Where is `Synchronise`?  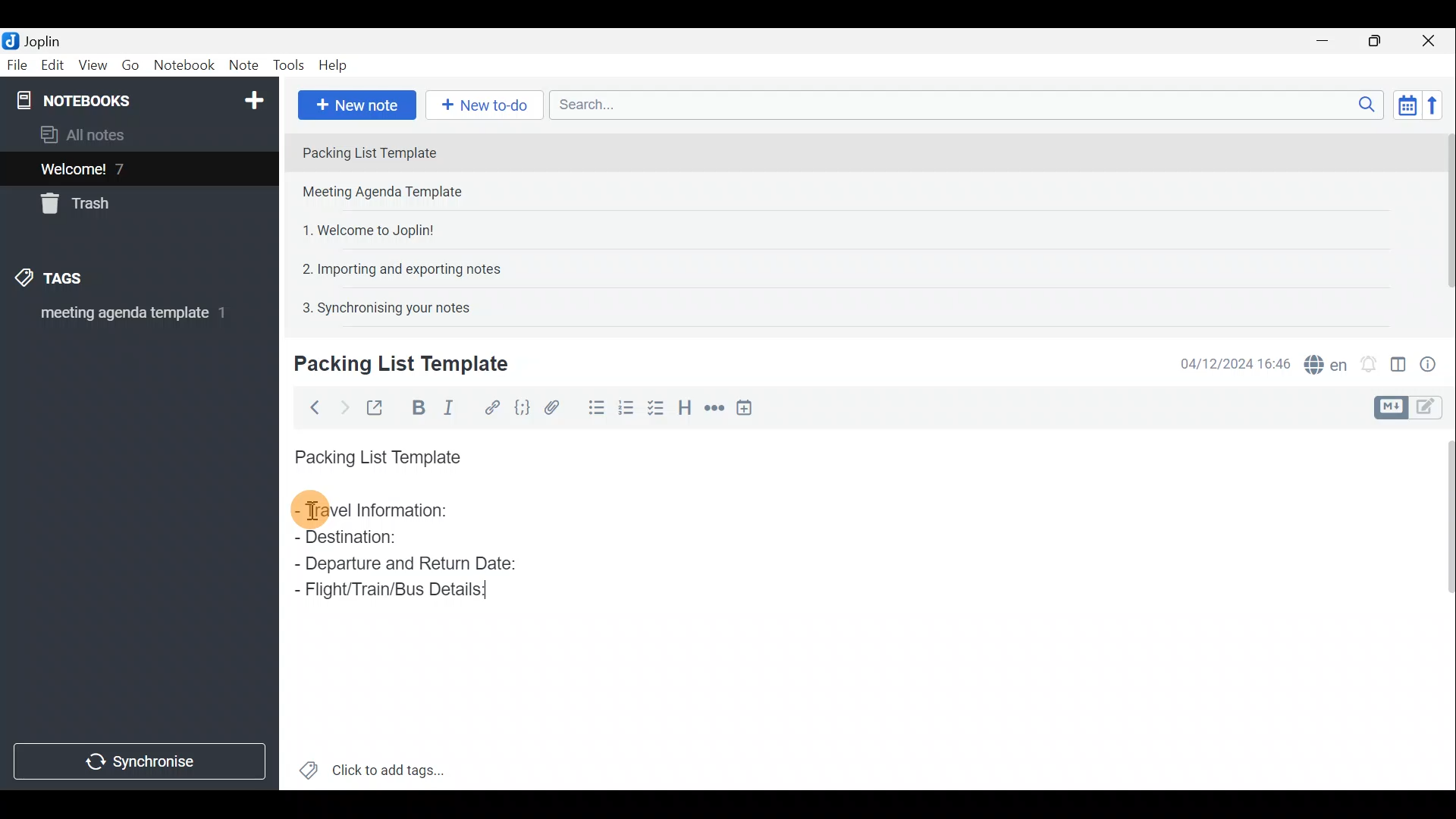
Synchronise is located at coordinates (142, 764).